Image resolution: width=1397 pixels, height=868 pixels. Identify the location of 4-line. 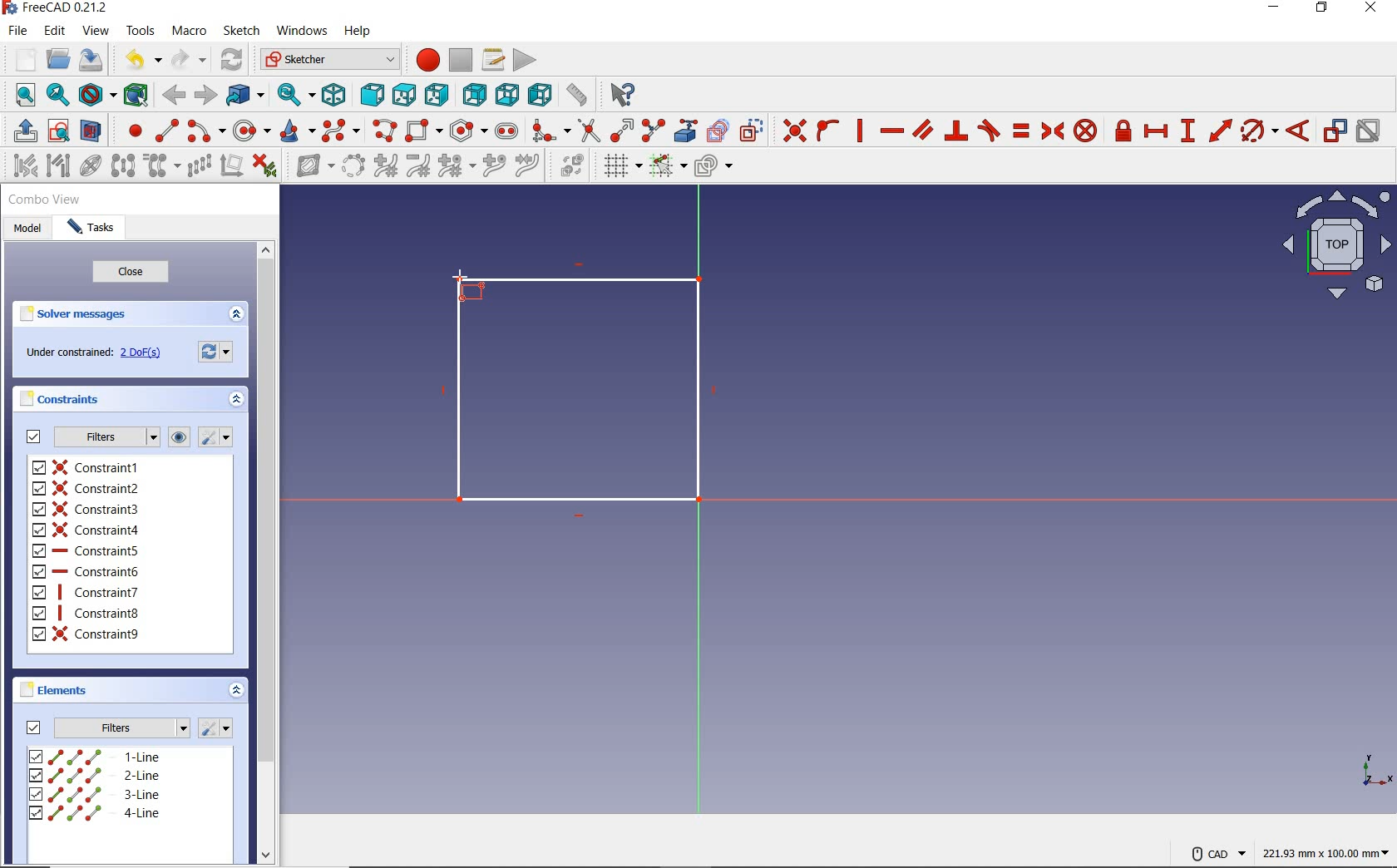
(95, 813).